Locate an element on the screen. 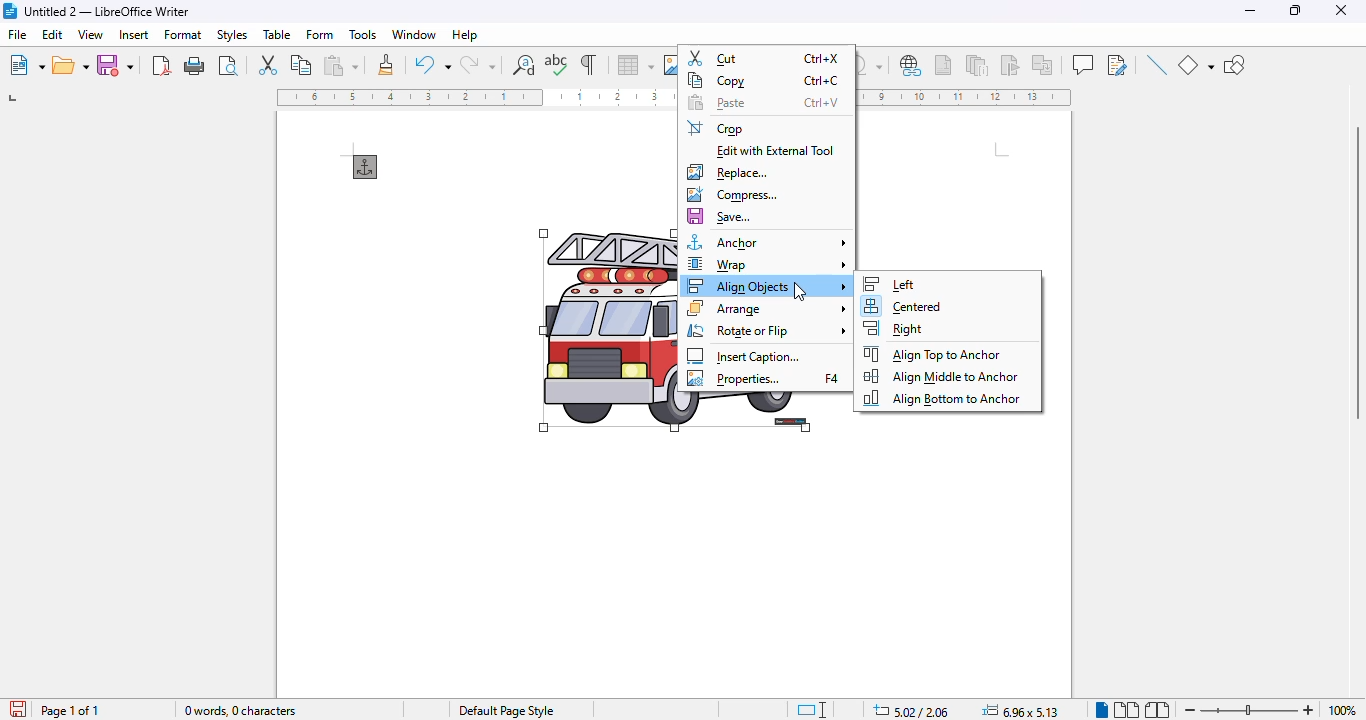 This screenshot has width=1366, height=720. zoom out is located at coordinates (1191, 711).